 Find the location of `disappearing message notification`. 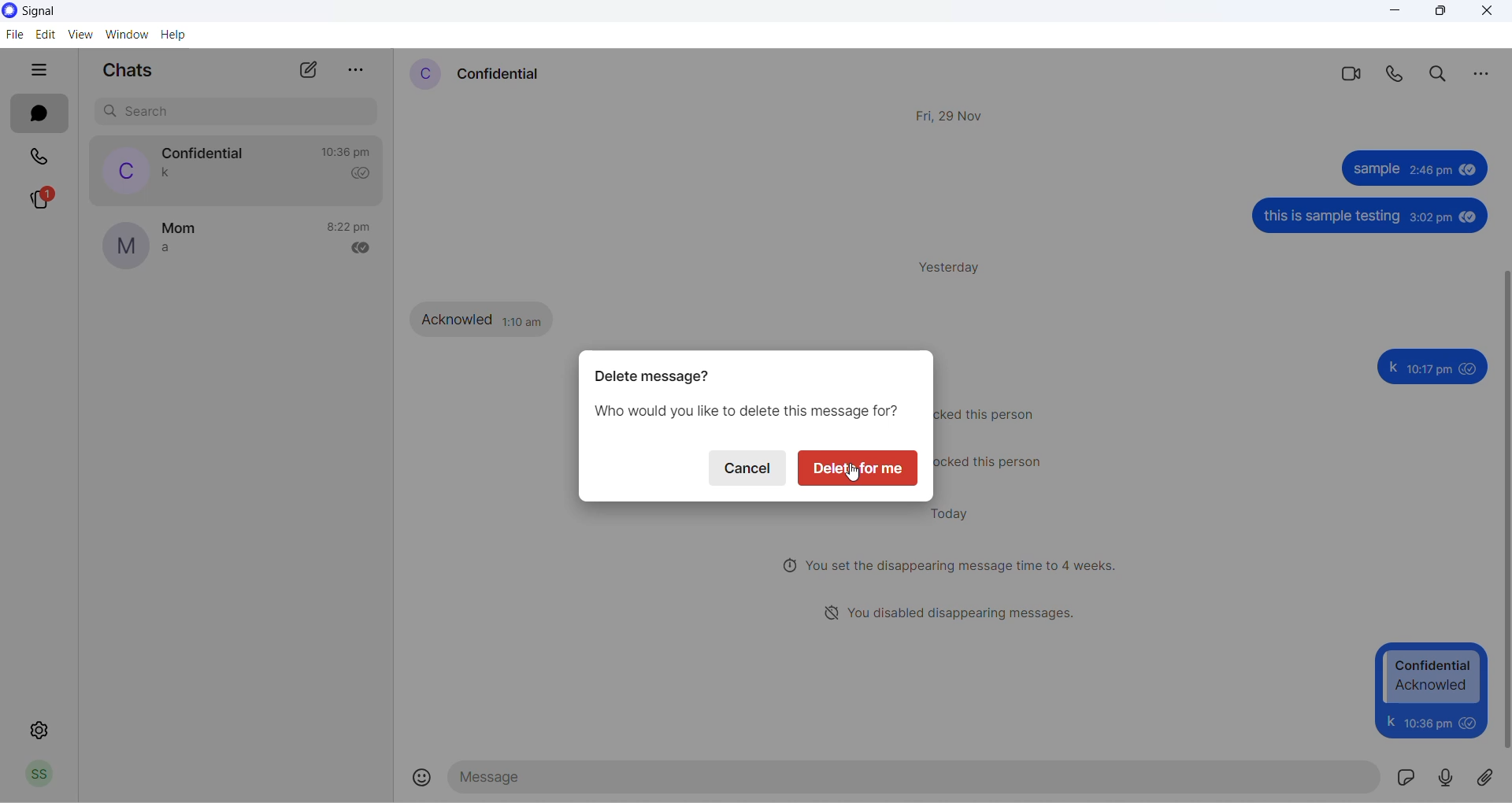

disappearing message notification is located at coordinates (951, 564).